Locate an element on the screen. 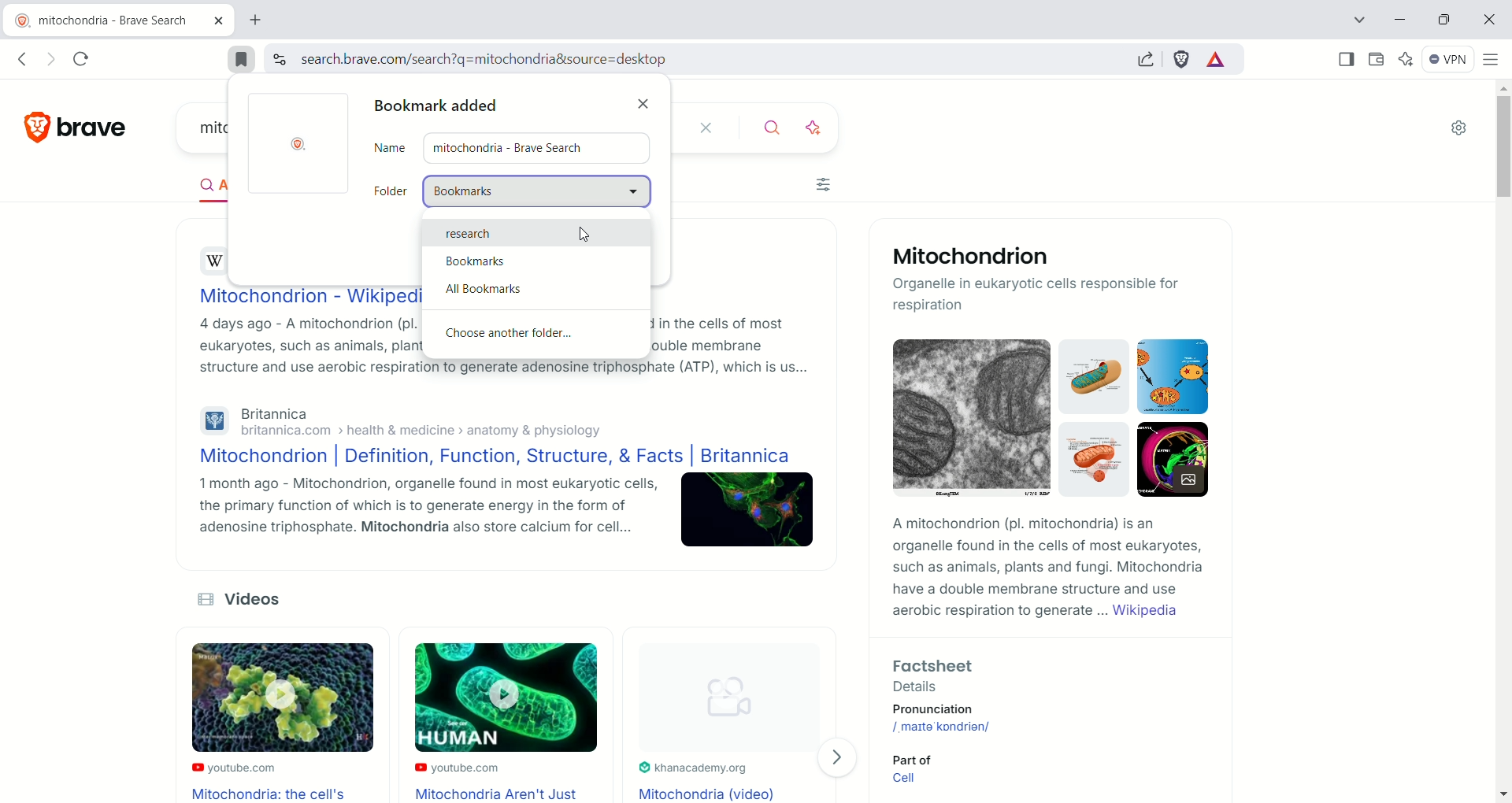  leo AI is located at coordinates (1410, 59).